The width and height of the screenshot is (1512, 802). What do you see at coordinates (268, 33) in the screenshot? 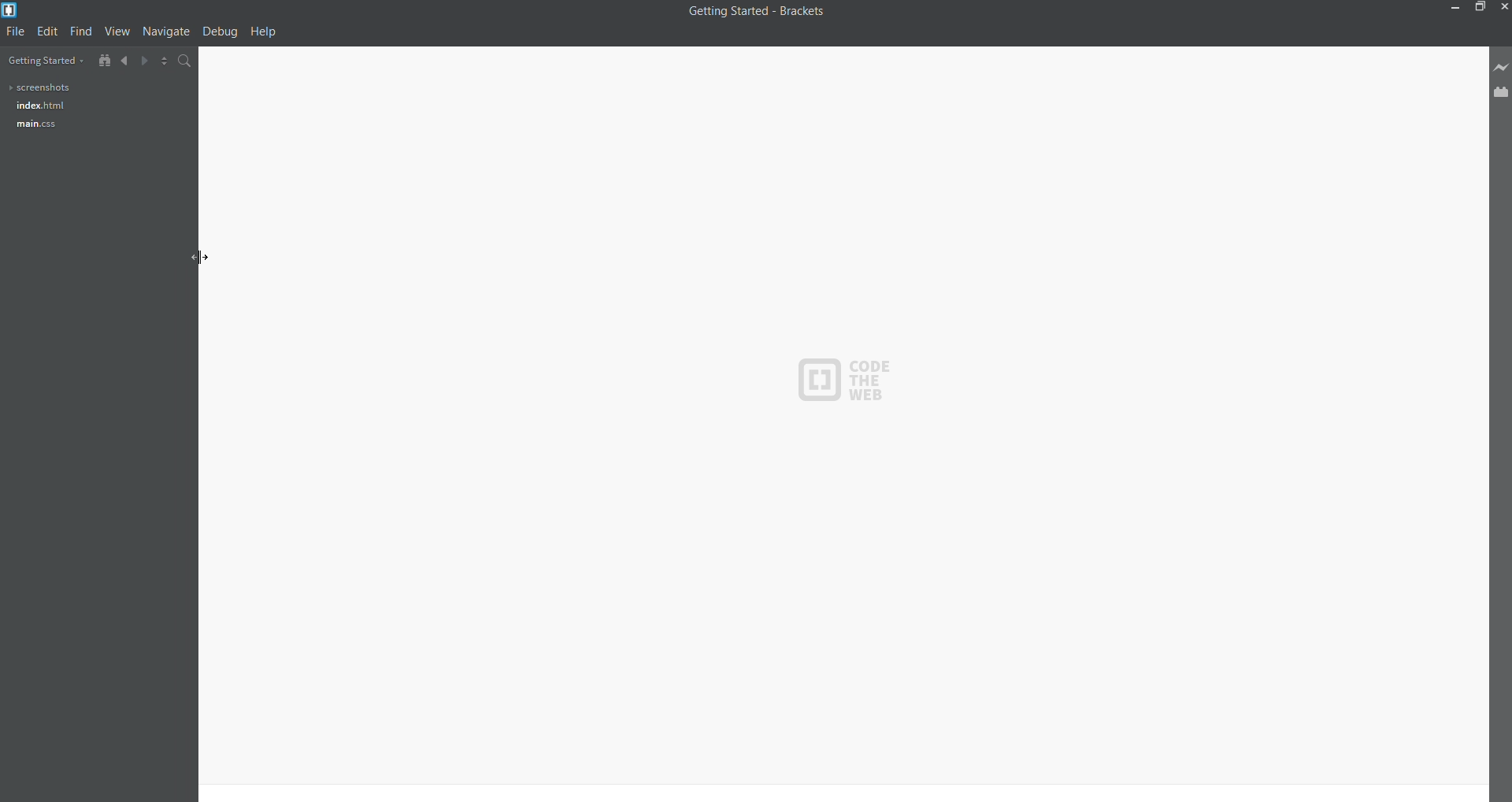
I see `help` at bounding box center [268, 33].